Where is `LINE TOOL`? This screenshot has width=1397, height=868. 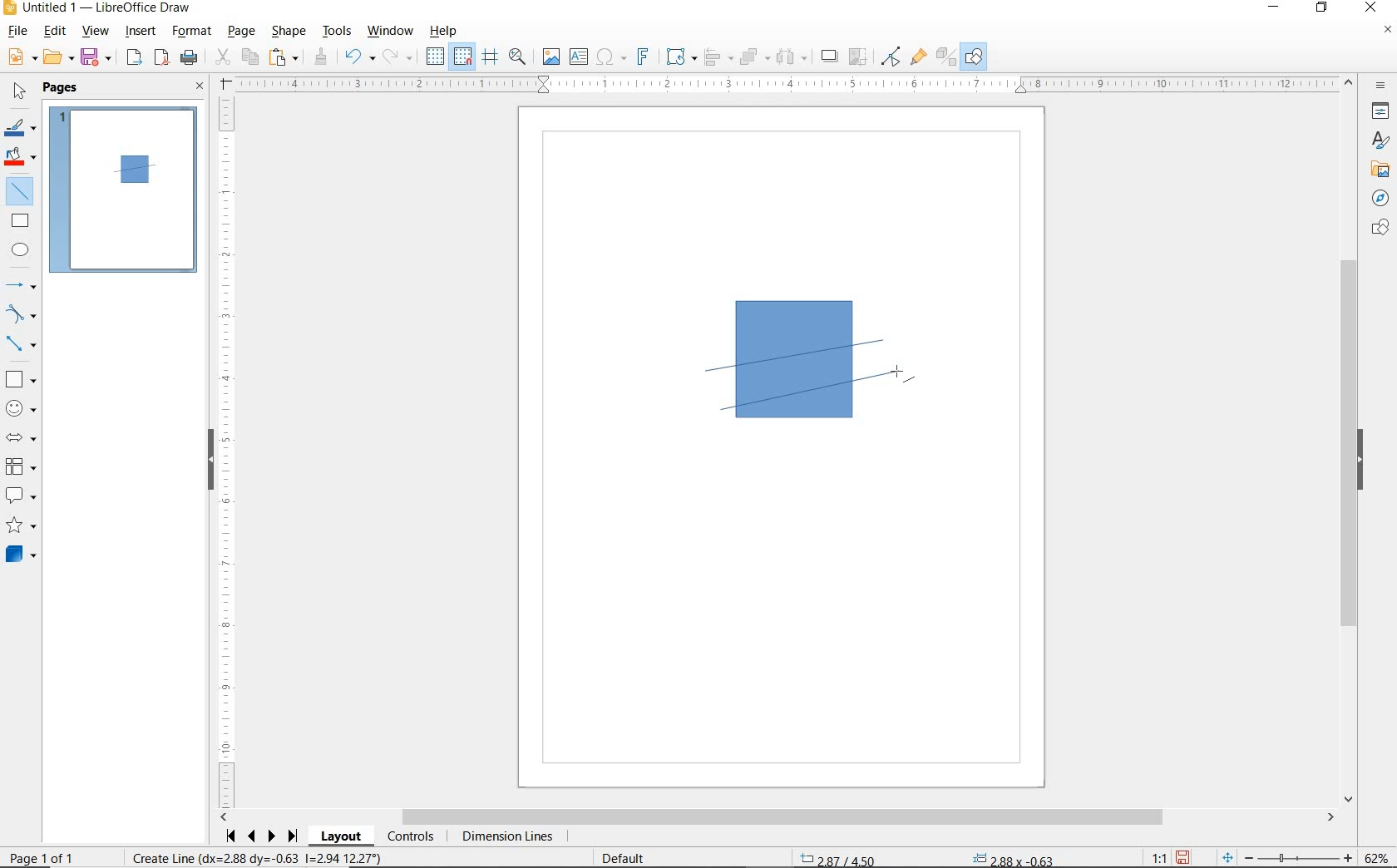
LINE TOOL is located at coordinates (710, 373).